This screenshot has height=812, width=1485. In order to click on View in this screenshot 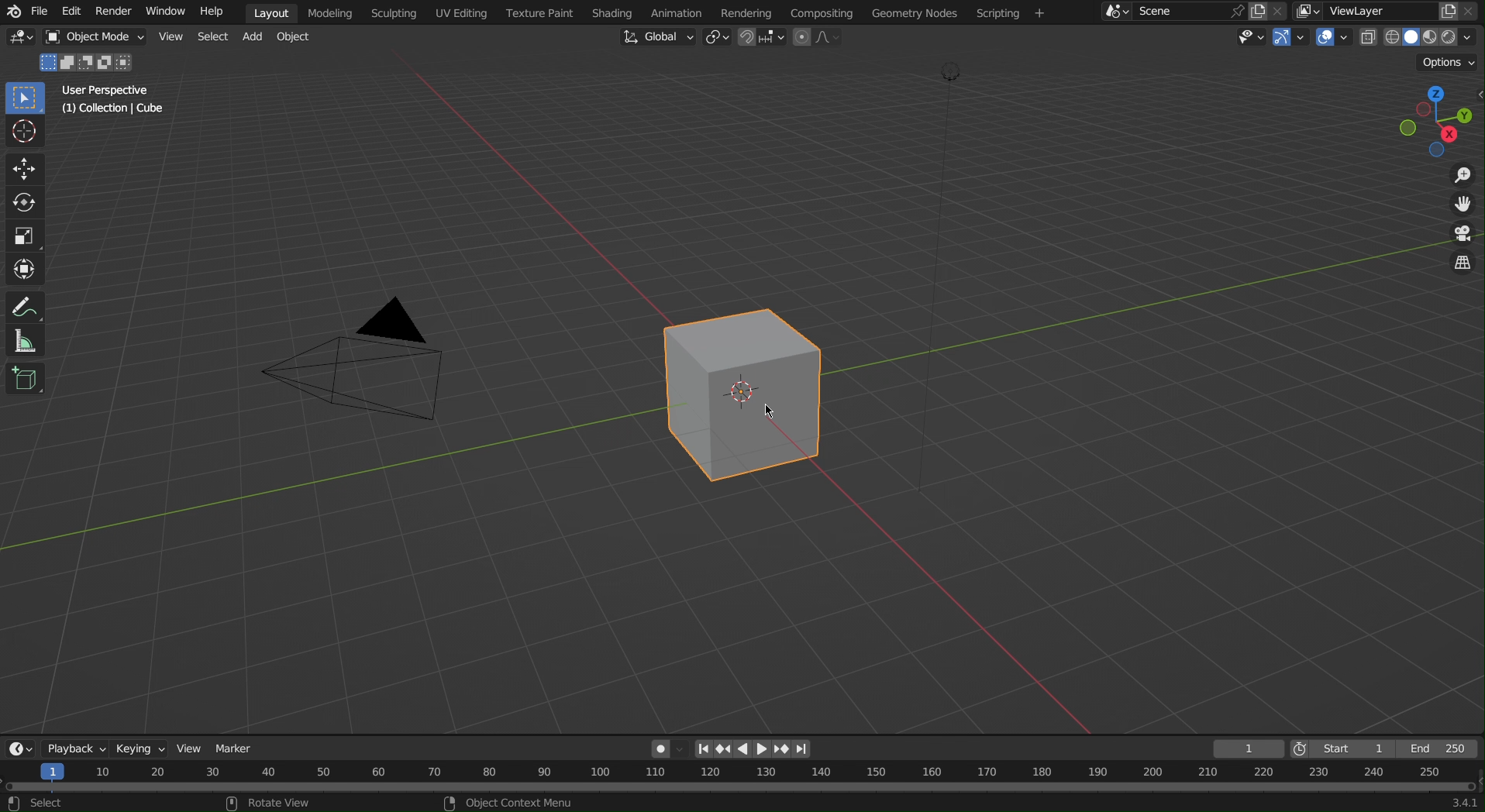, I will do `click(190, 749)`.